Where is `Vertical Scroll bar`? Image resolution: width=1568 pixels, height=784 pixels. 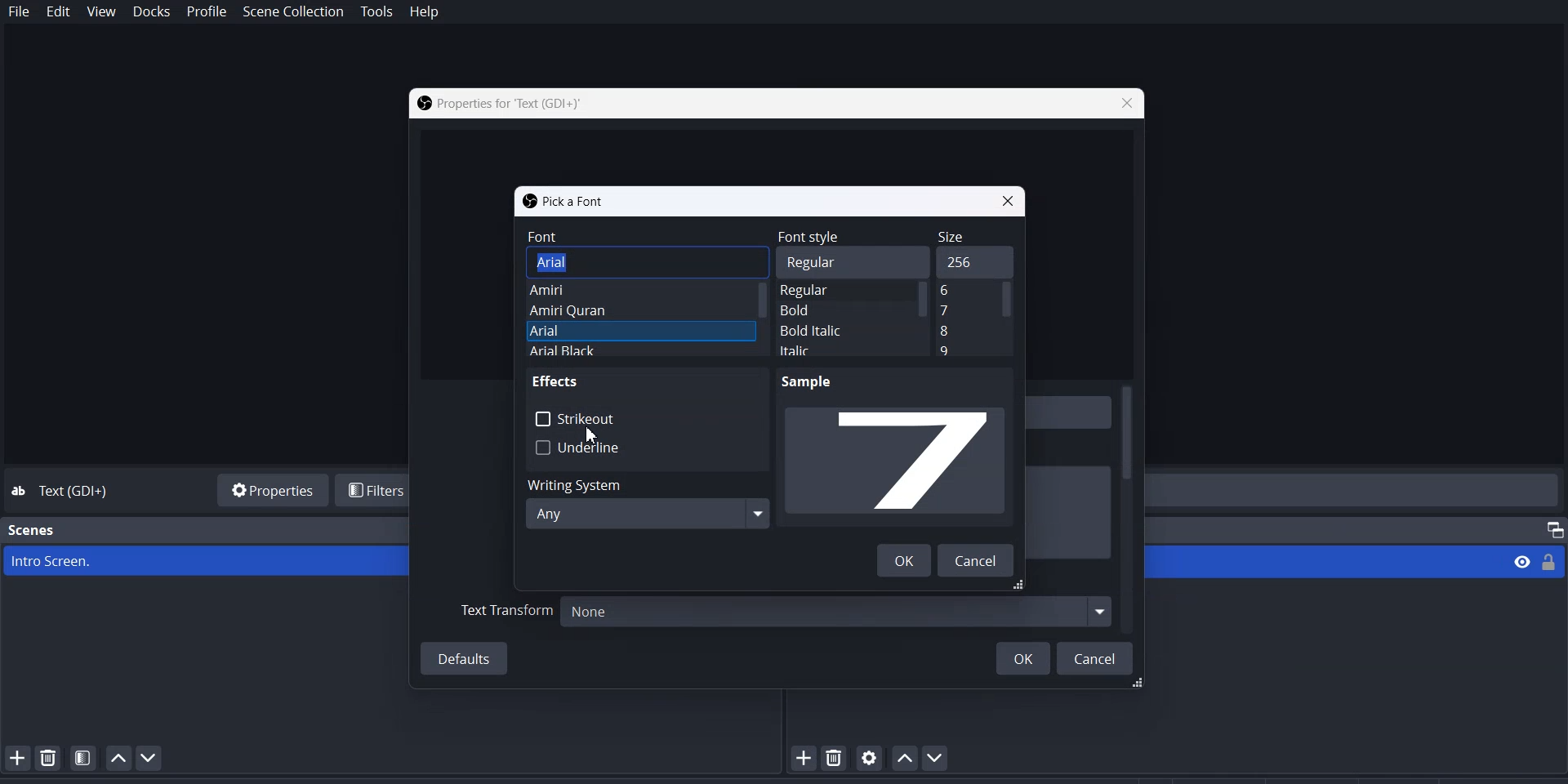 Vertical Scroll bar is located at coordinates (1008, 318).